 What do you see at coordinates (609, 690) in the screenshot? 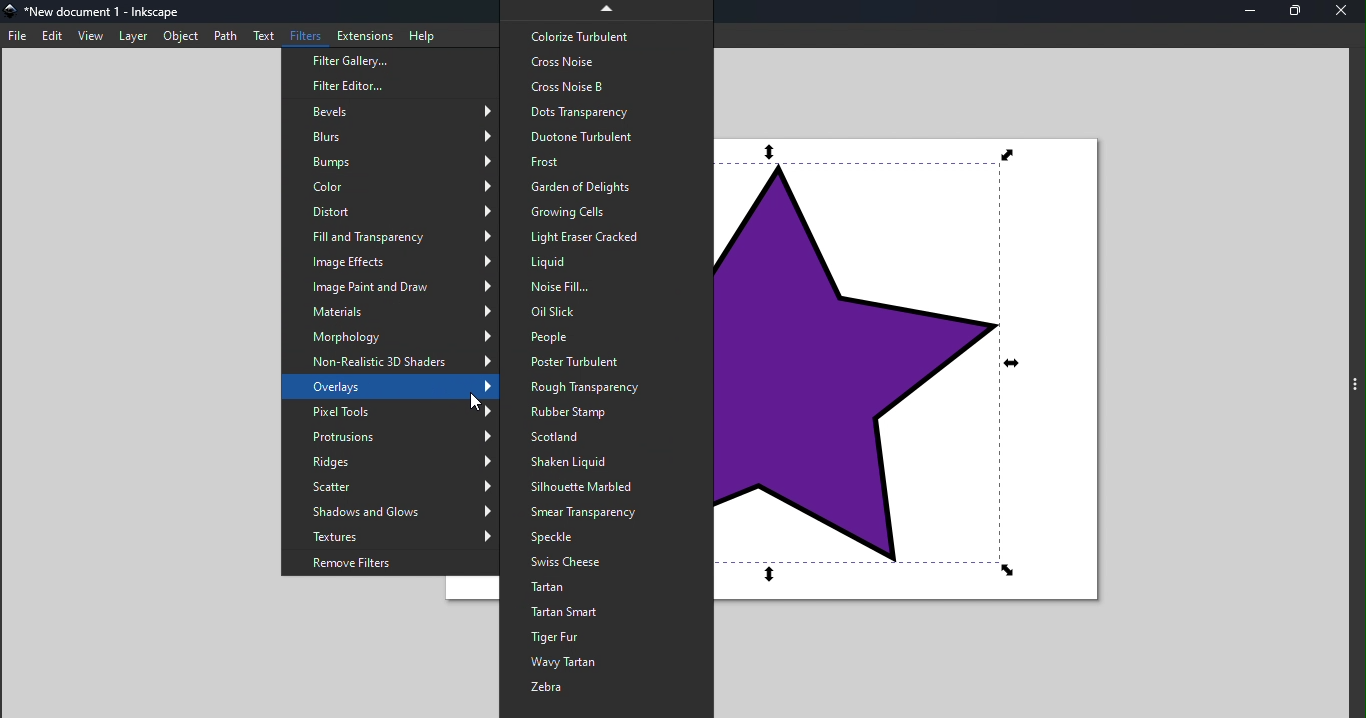
I see `Zebra` at bounding box center [609, 690].